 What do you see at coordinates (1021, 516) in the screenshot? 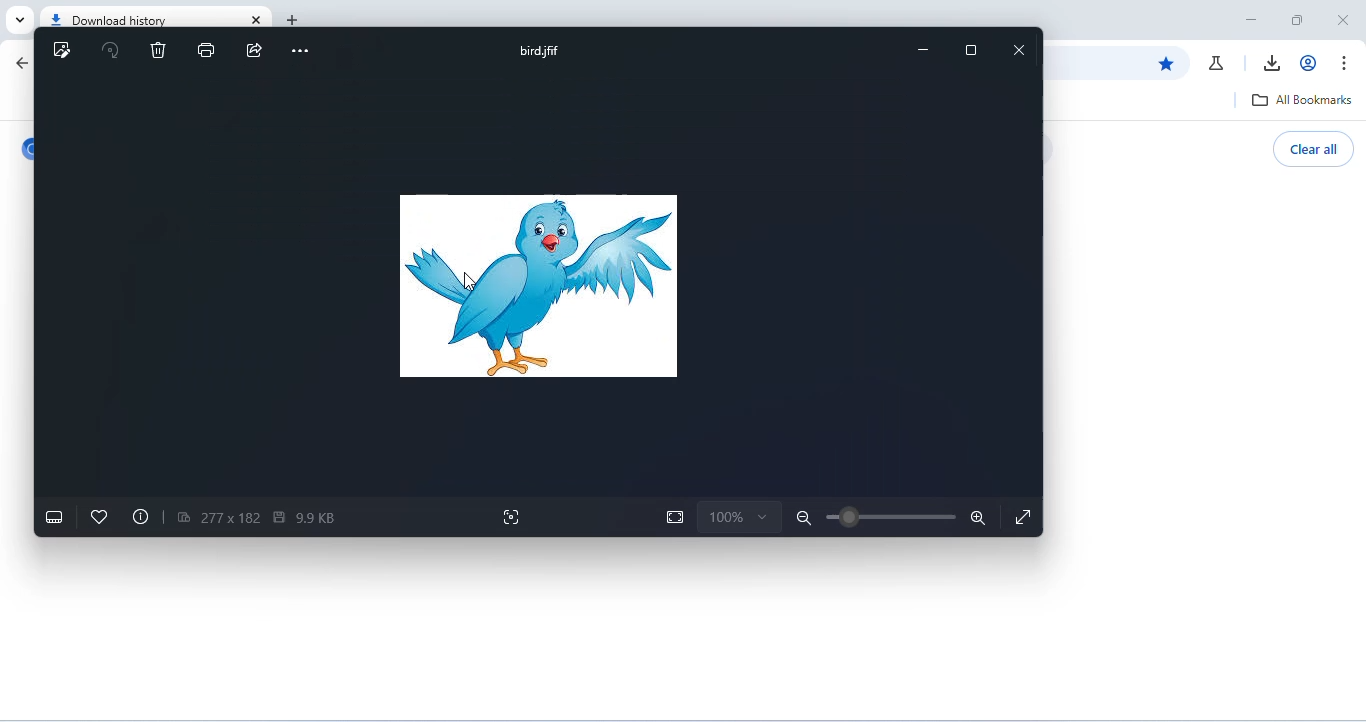
I see `fullscreen` at bounding box center [1021, 516].